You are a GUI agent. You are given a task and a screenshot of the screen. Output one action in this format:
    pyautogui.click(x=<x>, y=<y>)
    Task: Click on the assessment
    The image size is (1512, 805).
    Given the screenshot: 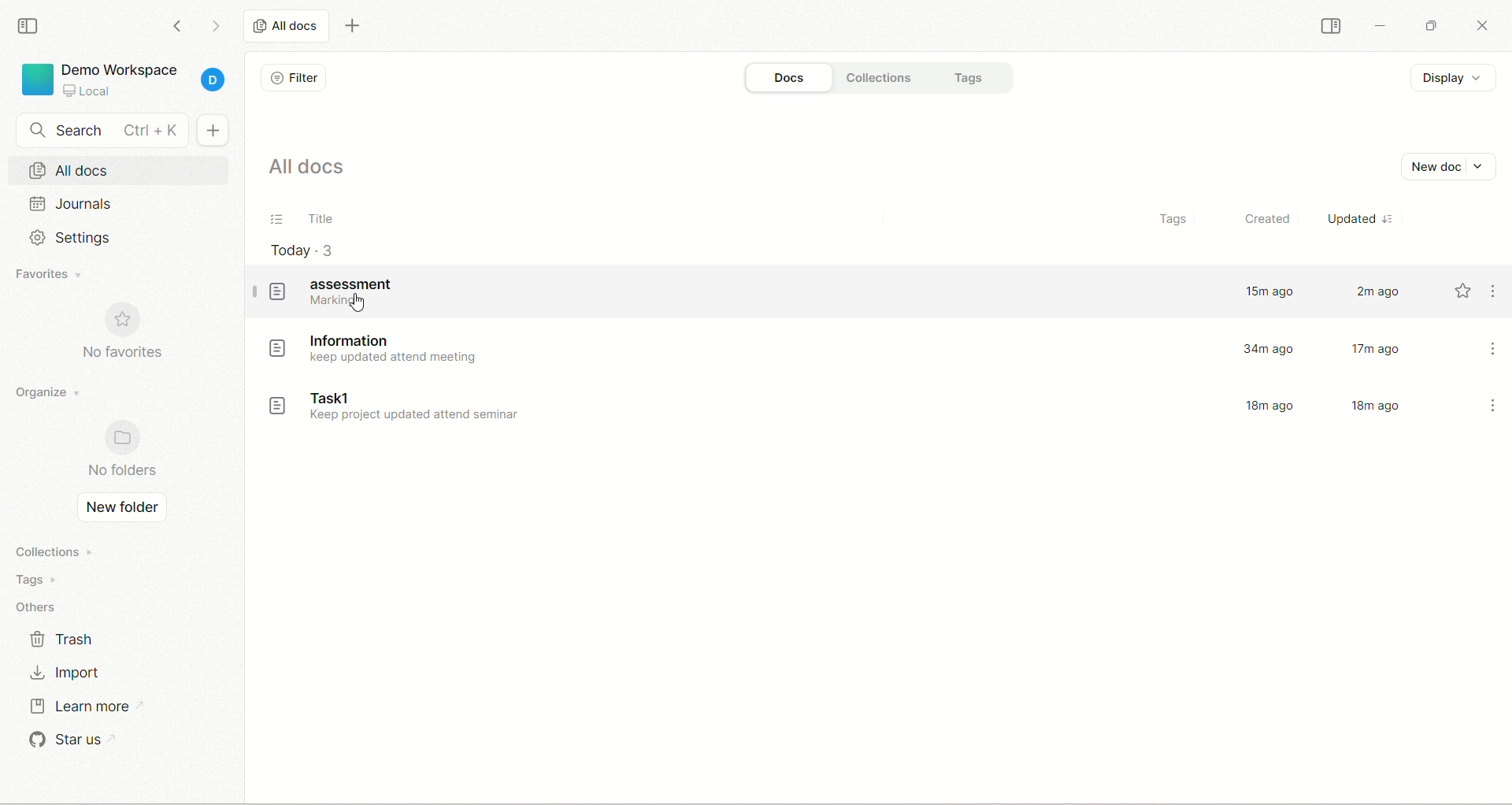 What is the action you would take?
    pyautogui.click(x=339, y=294)
    